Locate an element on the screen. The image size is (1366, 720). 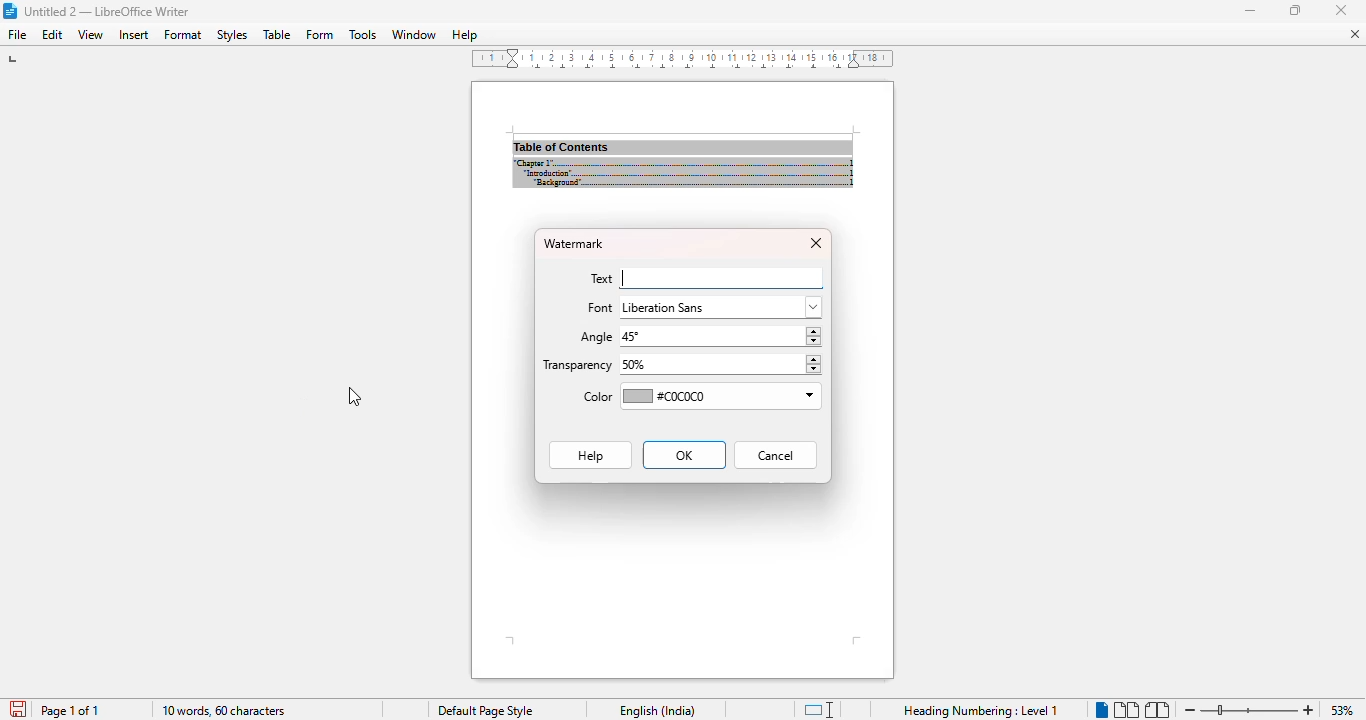
form is located at coordinates (319, 35).